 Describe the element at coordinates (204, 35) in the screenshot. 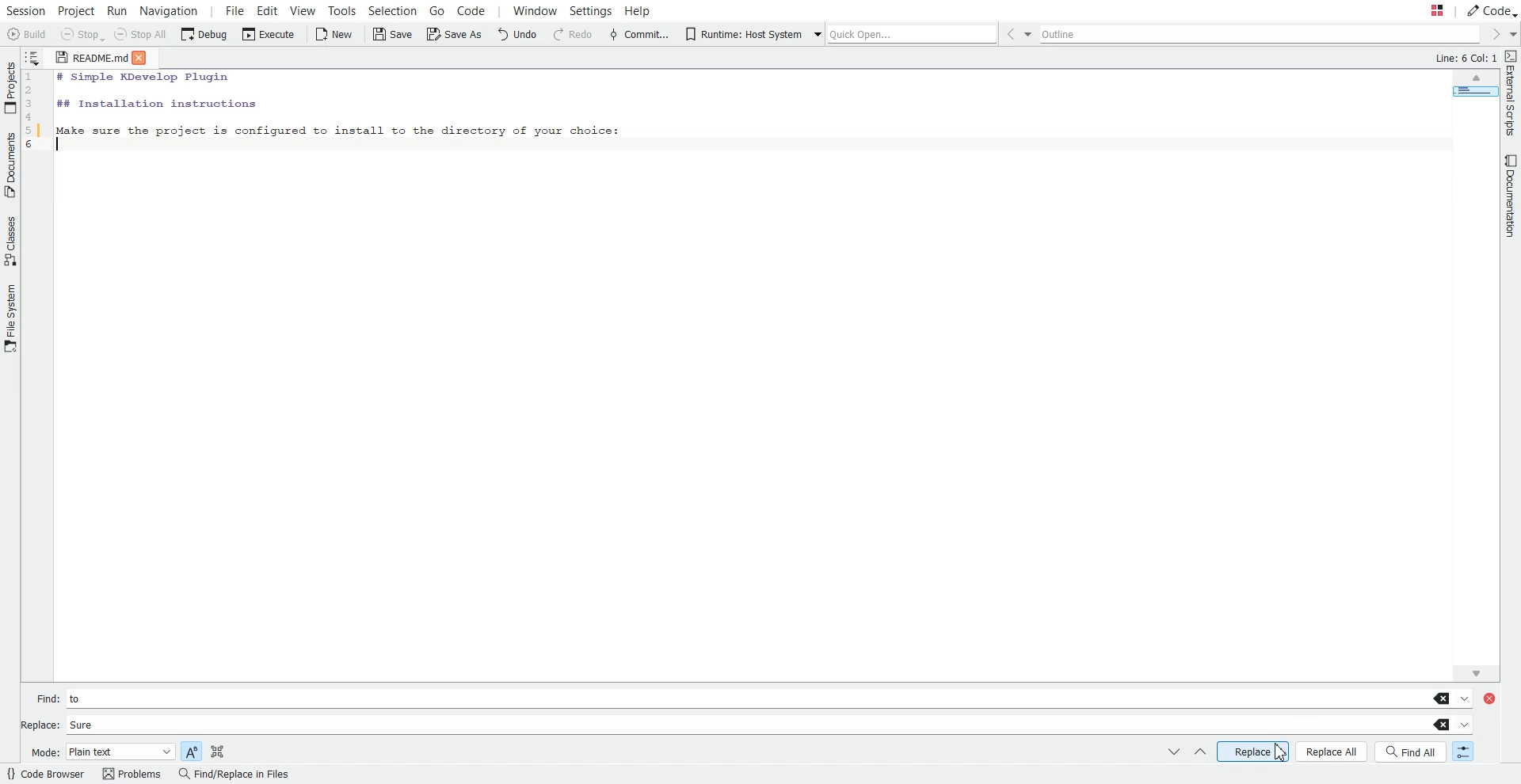

I see `Debug` at that location.